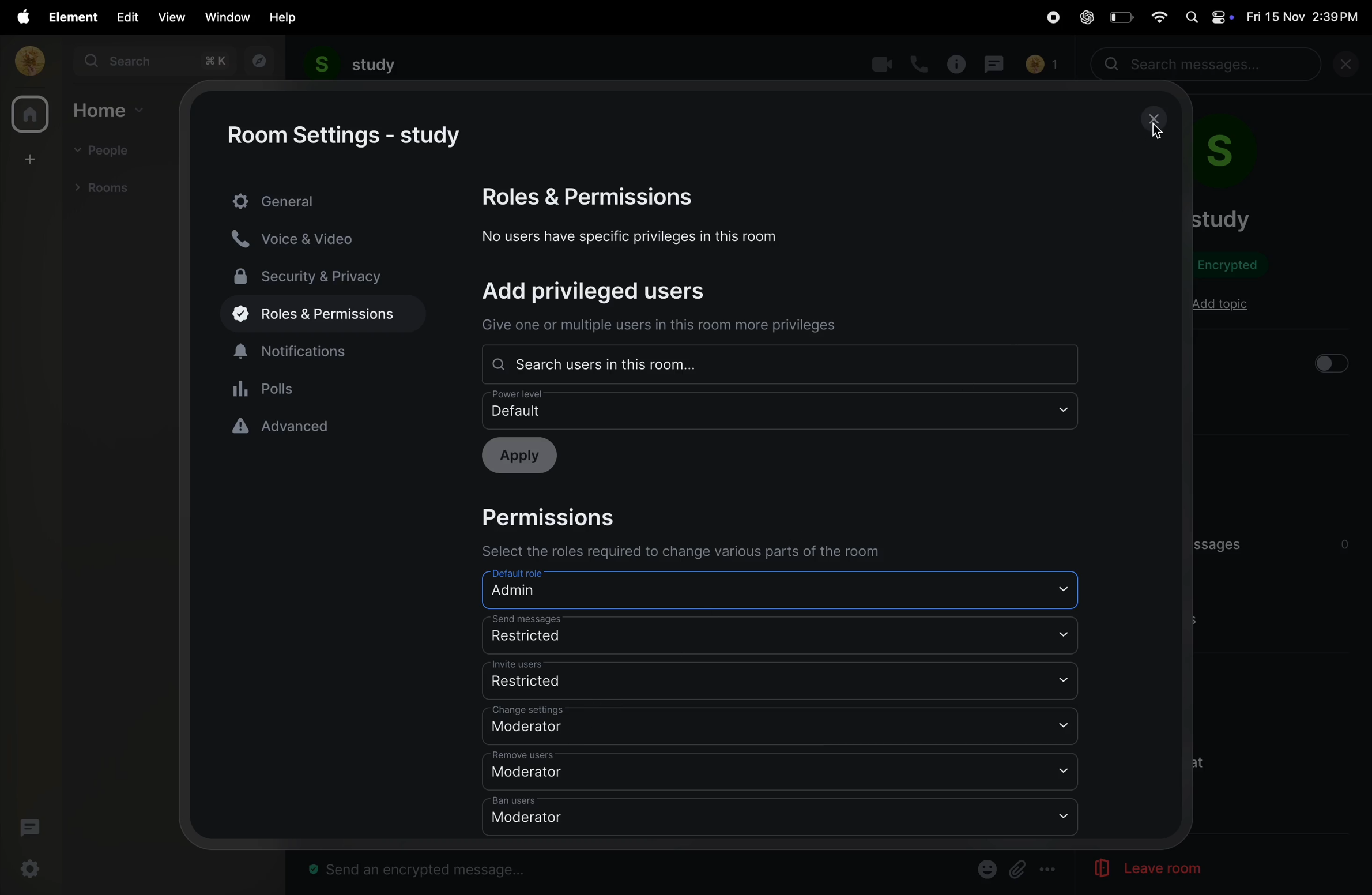 The width and height of the screenshot is (1372, 895). Describe the element at coordinates (1330, 363) in the screenshot. I see `button` at that location.